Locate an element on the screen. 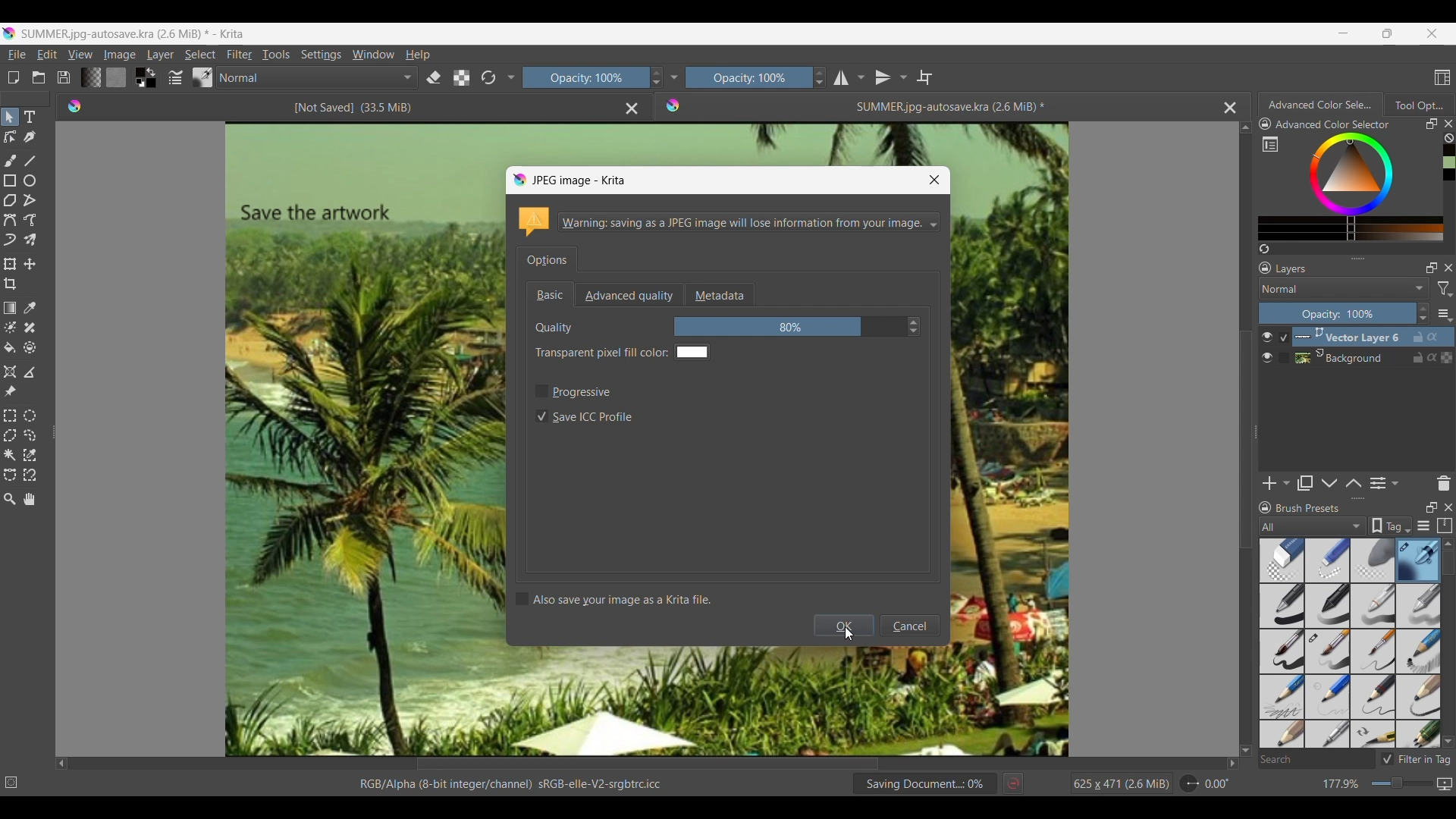 Image resolution: width=1456 pixels, height=819 pixels. Multi-brush tool is located at coordinates (30, 240).